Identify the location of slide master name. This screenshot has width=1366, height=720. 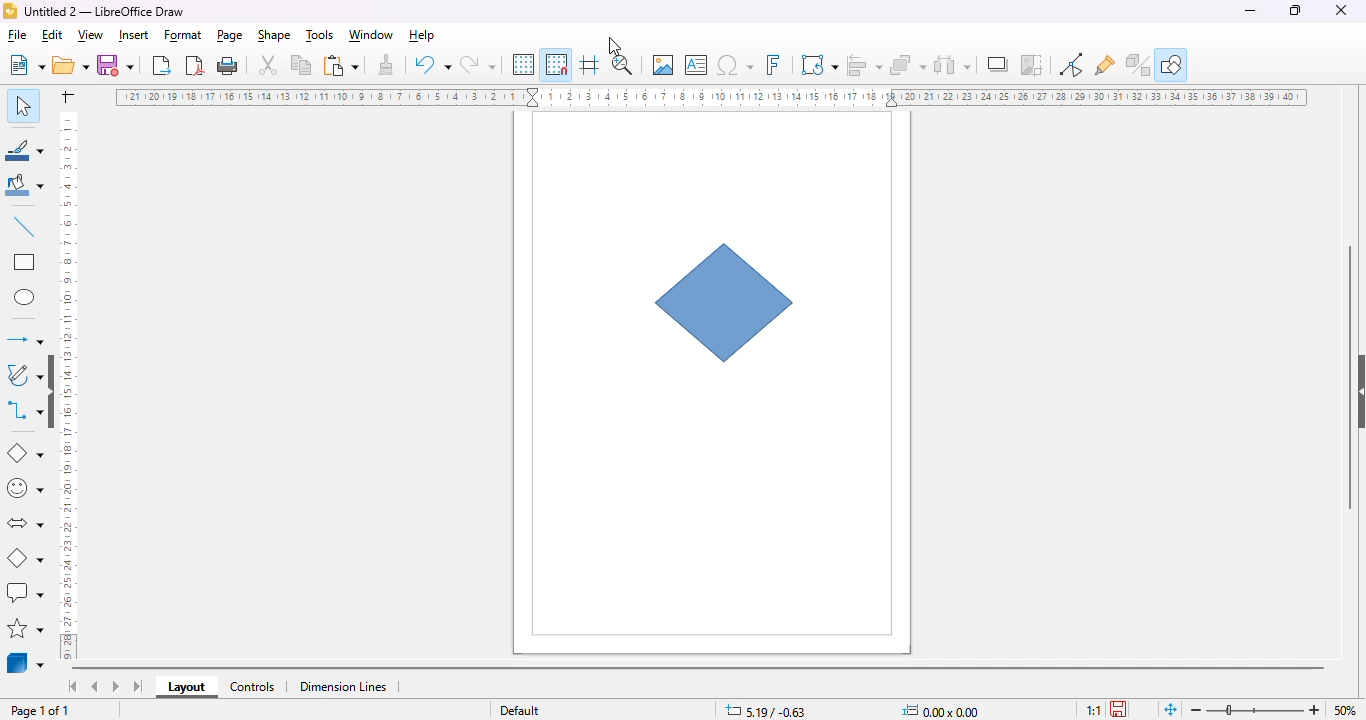
(518, 711).